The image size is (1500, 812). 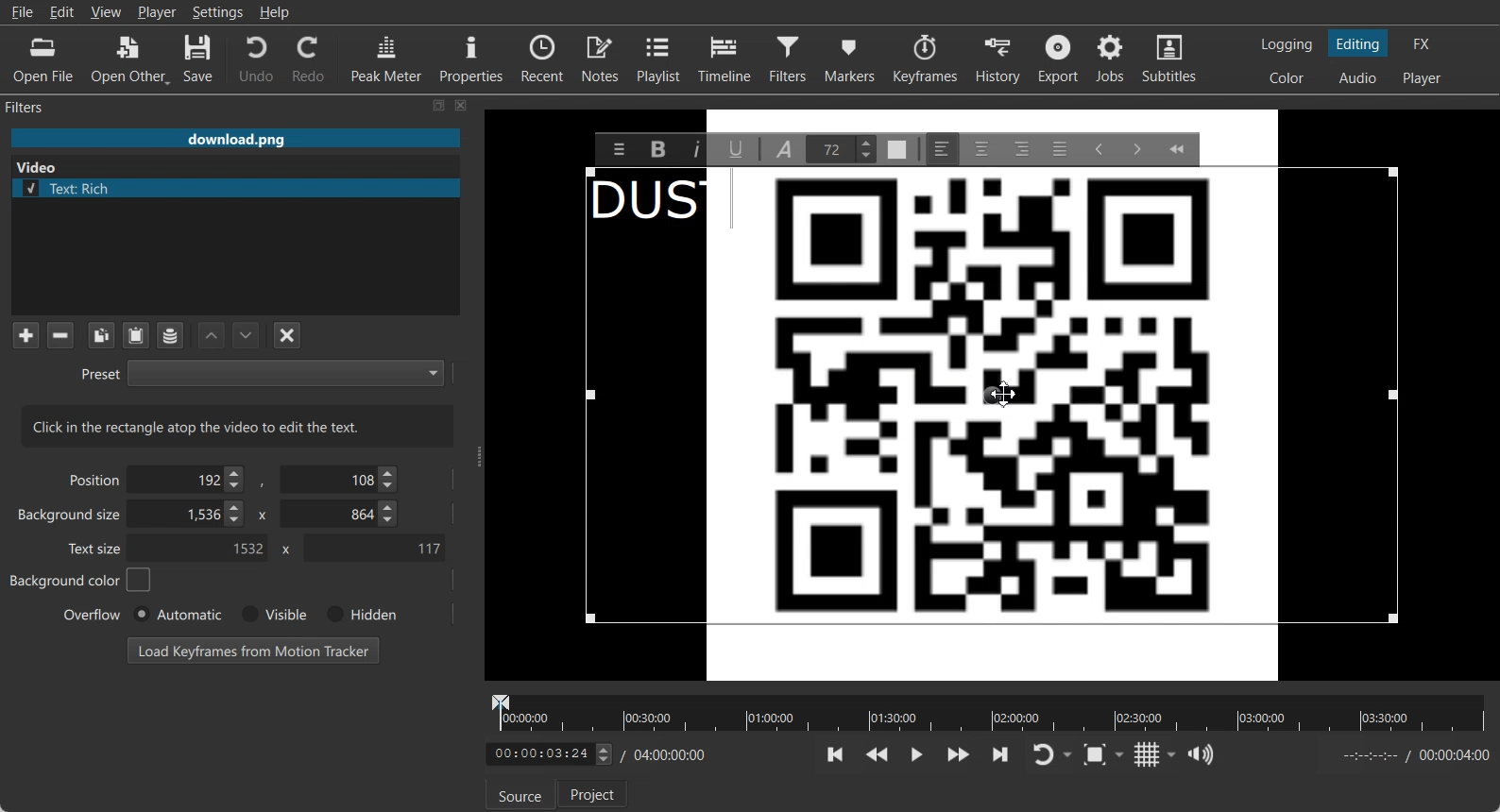 What do you see at coordinates (895, 149) in the screenshot?
I see `Text Color` at bounding box center [895, 149].